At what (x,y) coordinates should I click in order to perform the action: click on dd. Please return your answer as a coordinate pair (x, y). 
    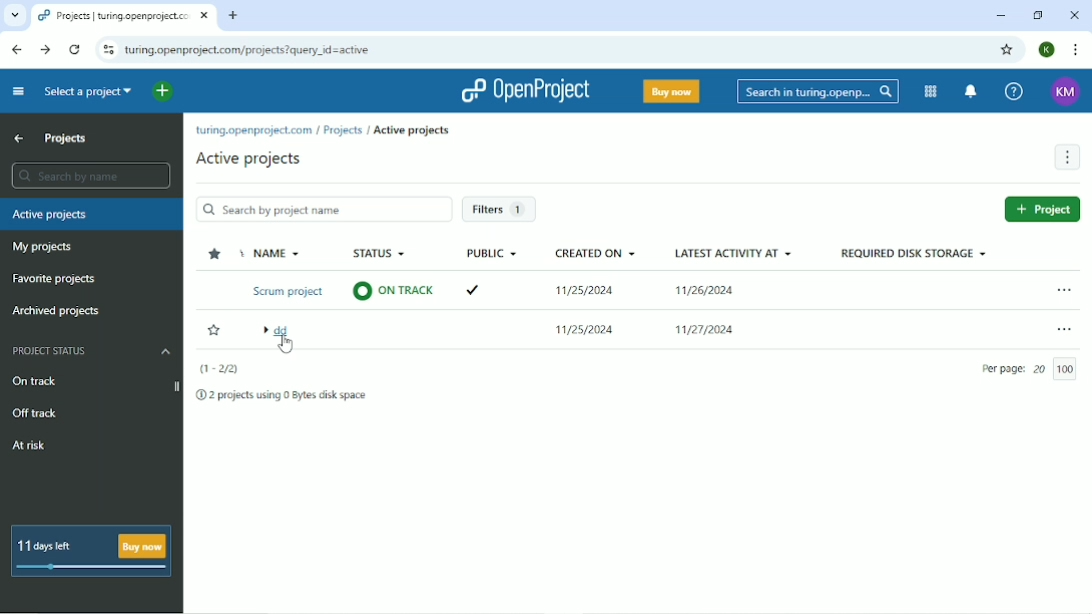
    Looking at the image, I should click on (290, 334).